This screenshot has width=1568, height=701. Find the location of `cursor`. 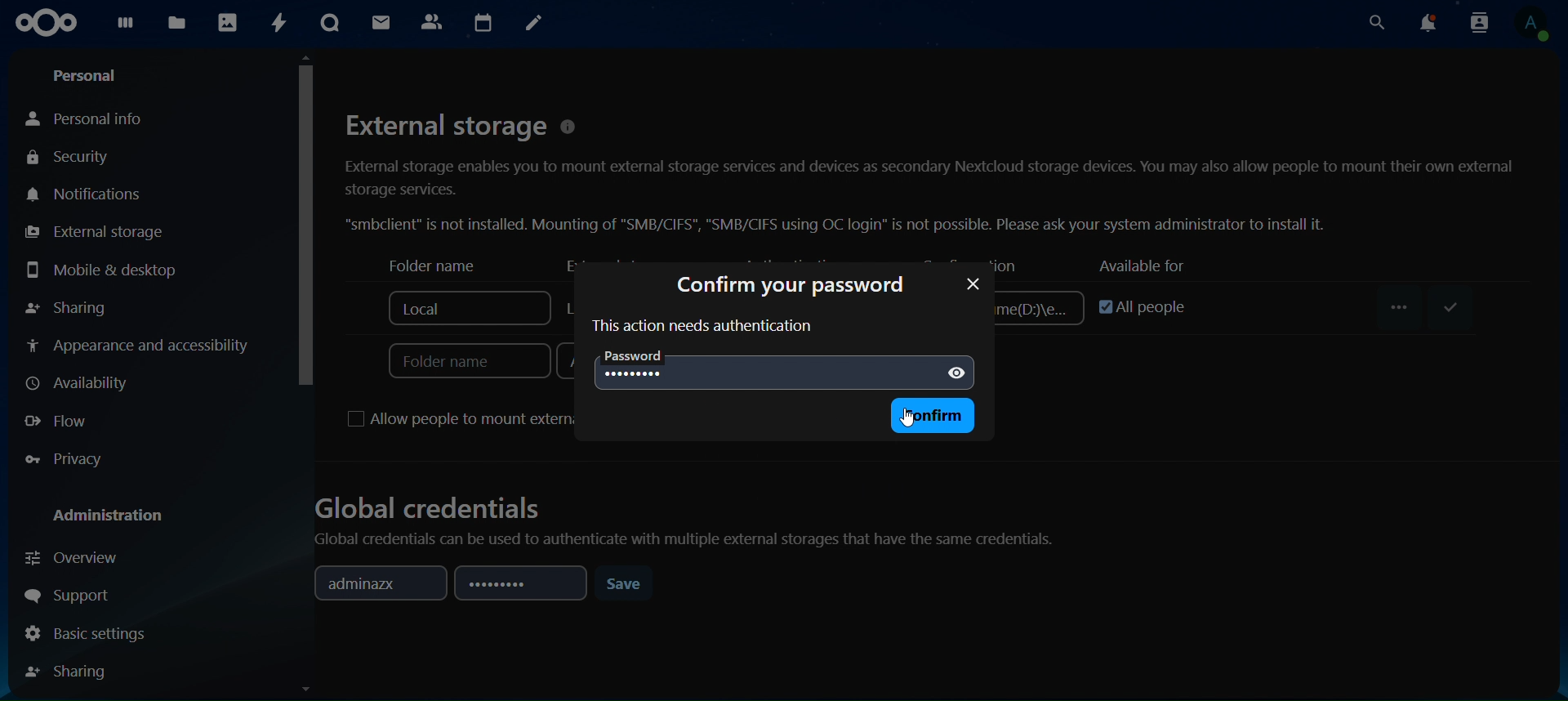

cursor is located at coordinates (916, 420).